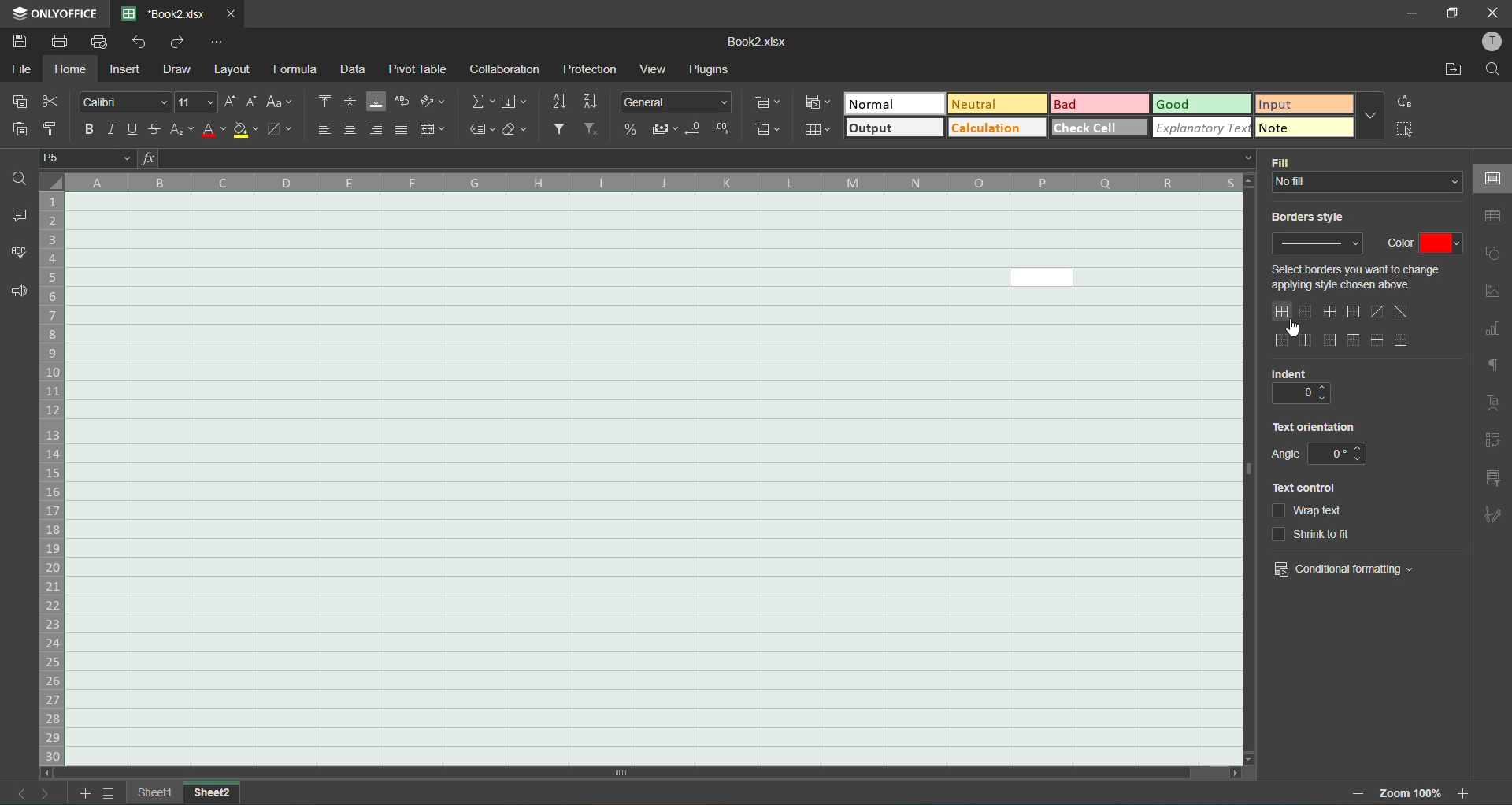  Describe the element at coordinates (180, 69) in the screenshot. I see `draw` at that location.